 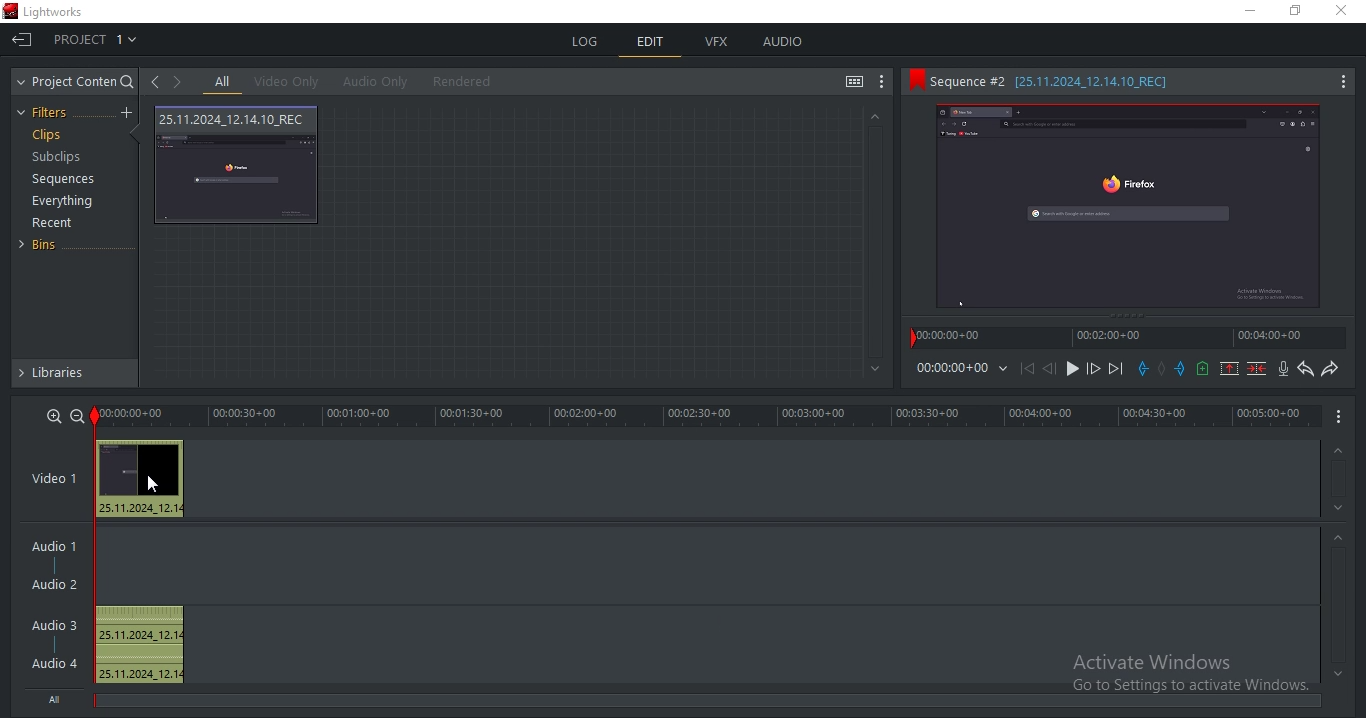 What do you see at coordinates (64, 179) in the screenshot?
I see `sequences` at bounding box center [64, 179].